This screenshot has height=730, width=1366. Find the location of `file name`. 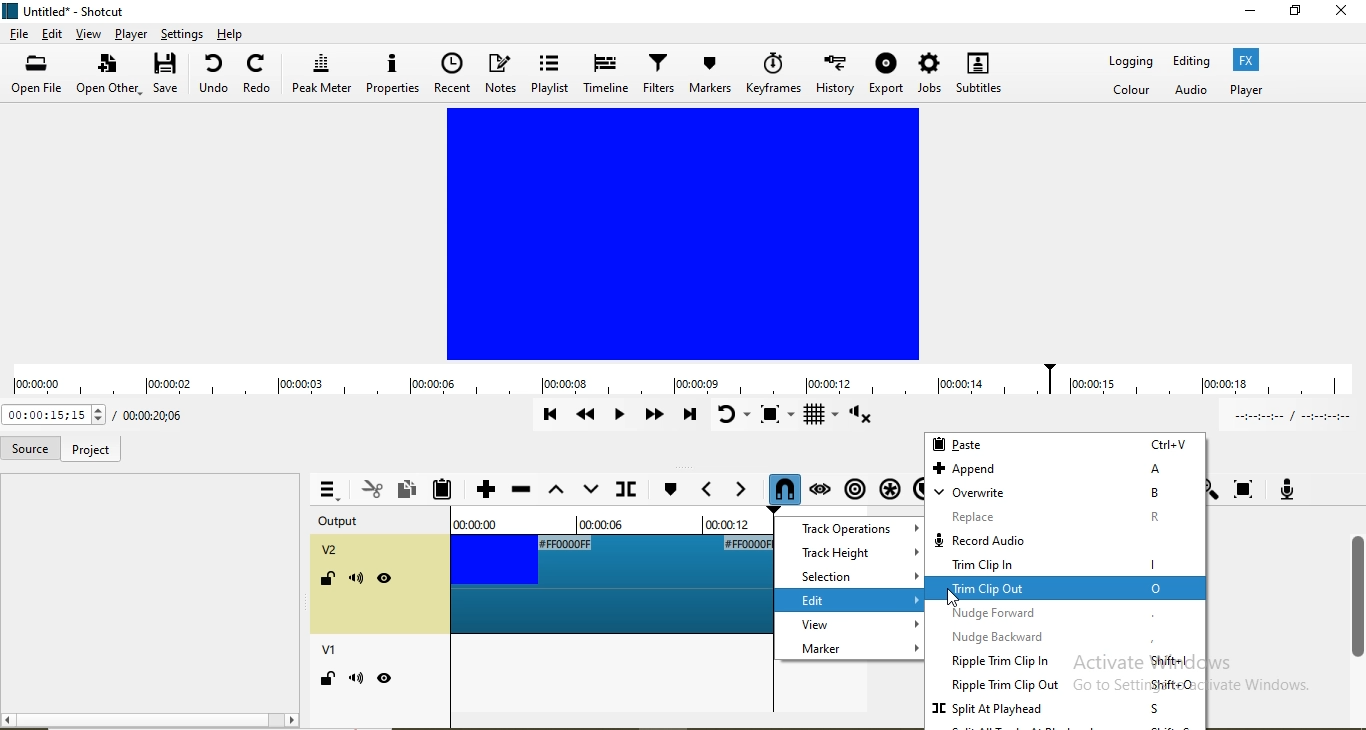

file name is located at coordinates (67, 13).